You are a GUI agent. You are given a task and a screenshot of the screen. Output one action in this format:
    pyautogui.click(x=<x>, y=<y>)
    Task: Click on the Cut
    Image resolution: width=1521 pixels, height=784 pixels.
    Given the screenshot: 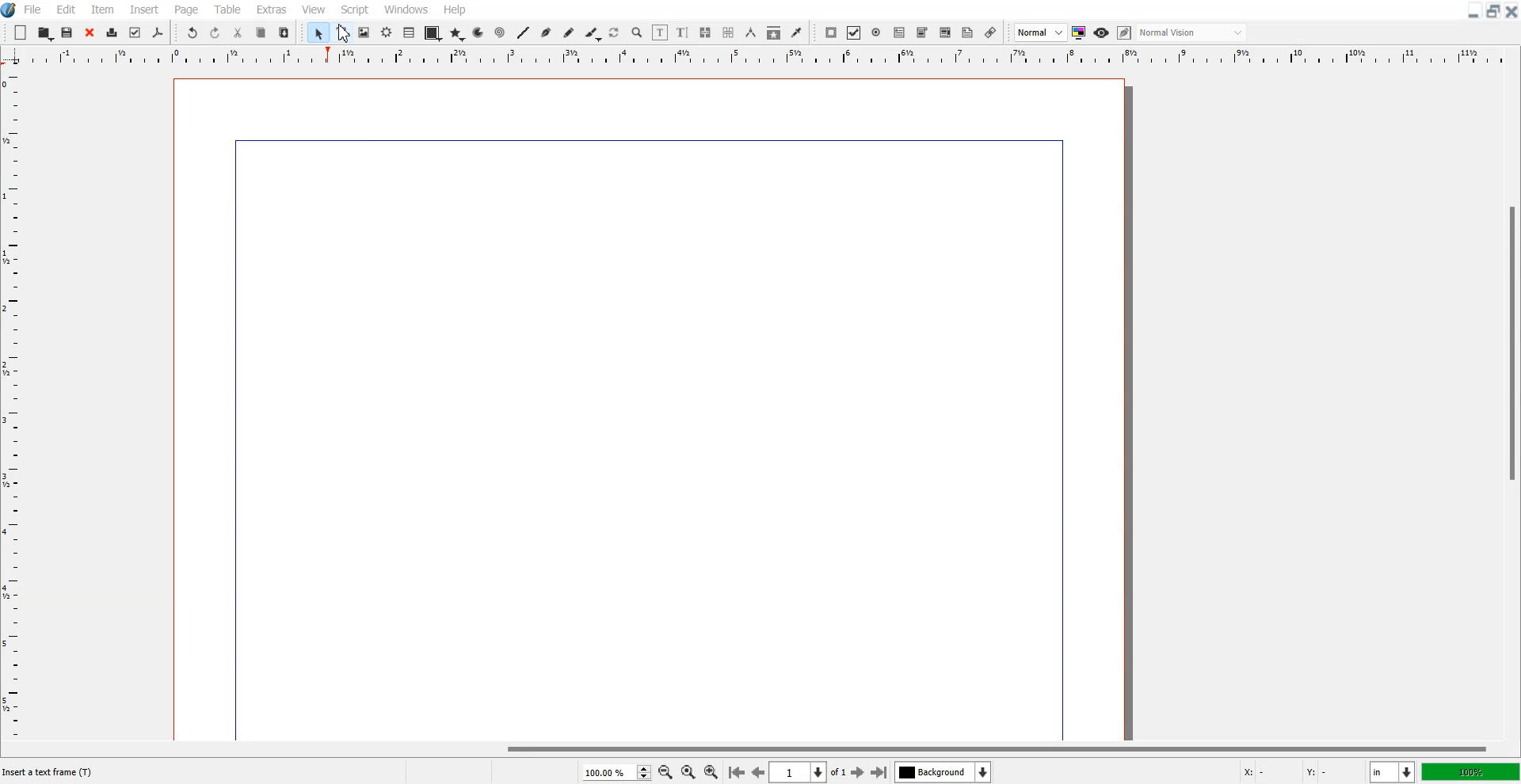 What is the action you would take?
    pyautogui.click(x=238, y=32)
    